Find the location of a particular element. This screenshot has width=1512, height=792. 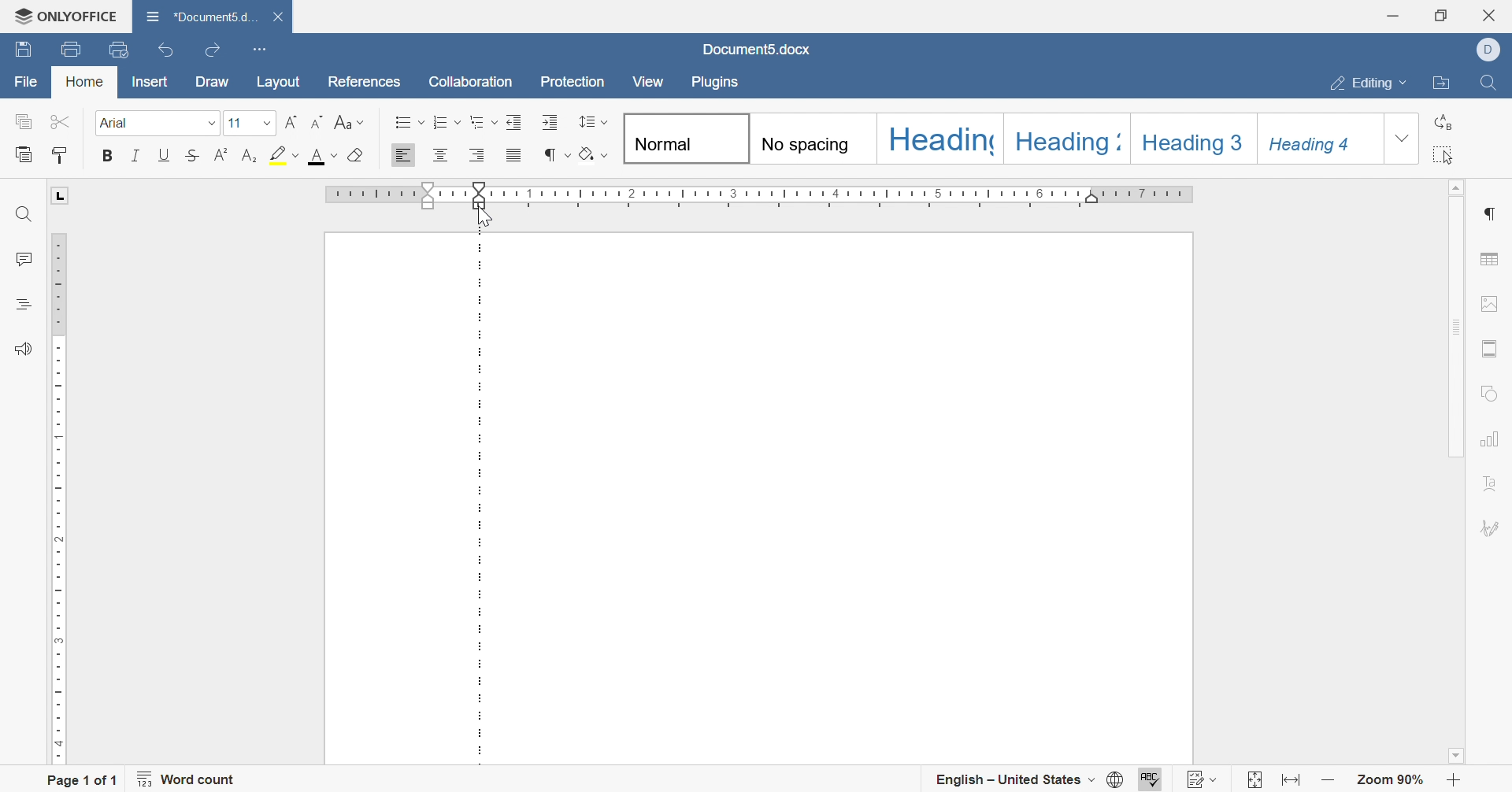

types of headings is located at coordinates (1002, 139).